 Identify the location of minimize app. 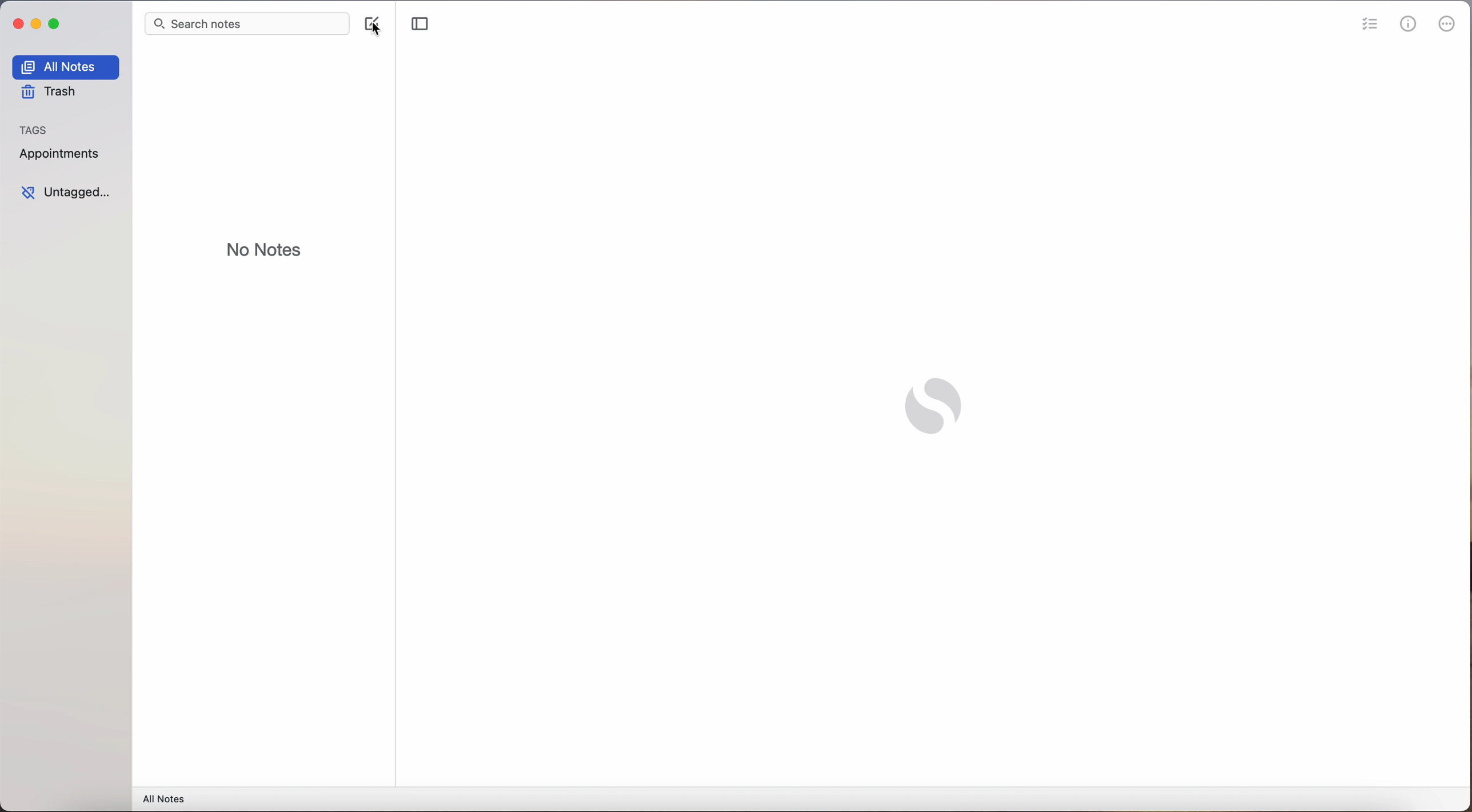
(38, 26).